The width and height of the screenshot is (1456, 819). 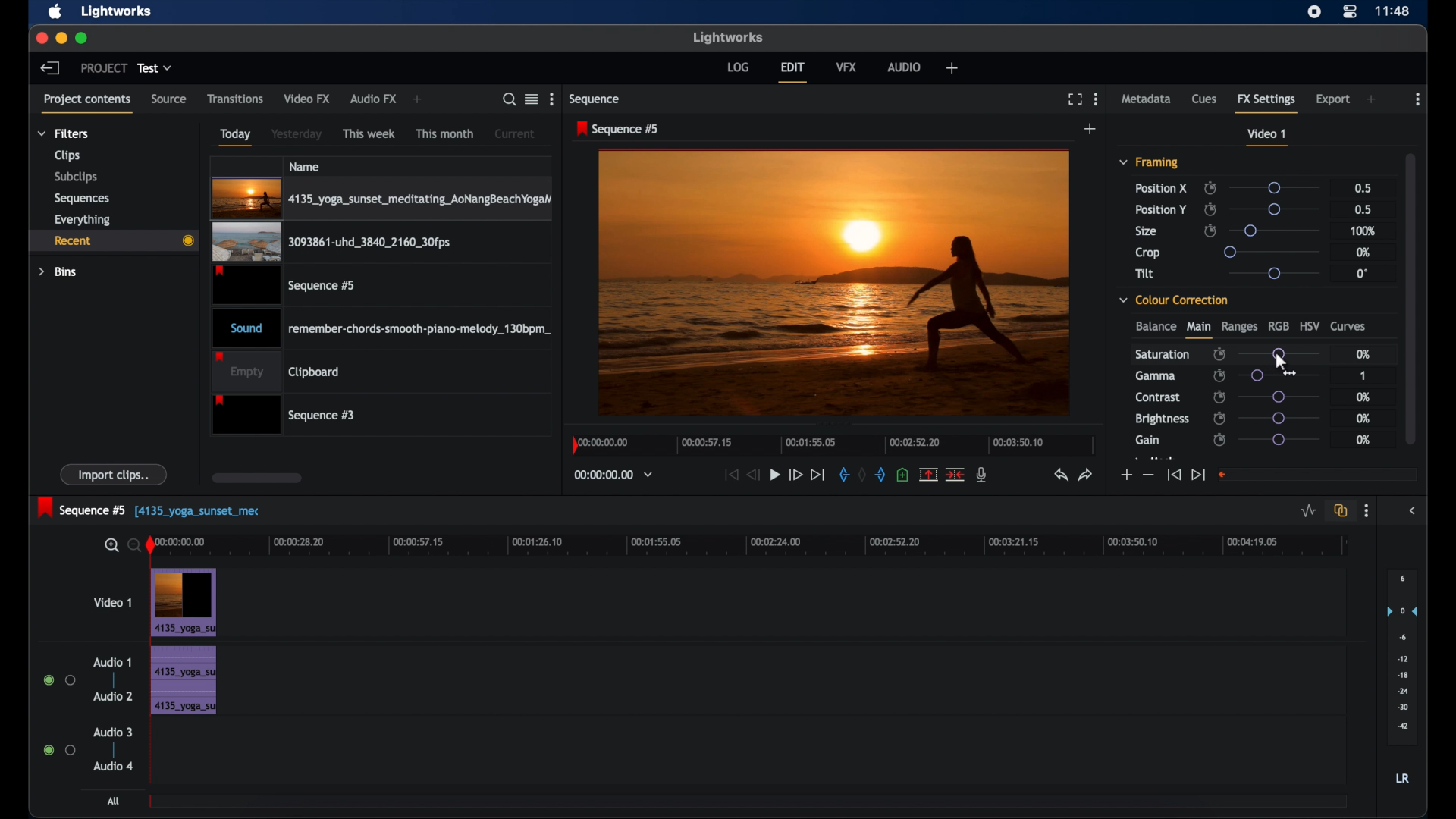 I want to click on timeline, so click(x=830, y=444).